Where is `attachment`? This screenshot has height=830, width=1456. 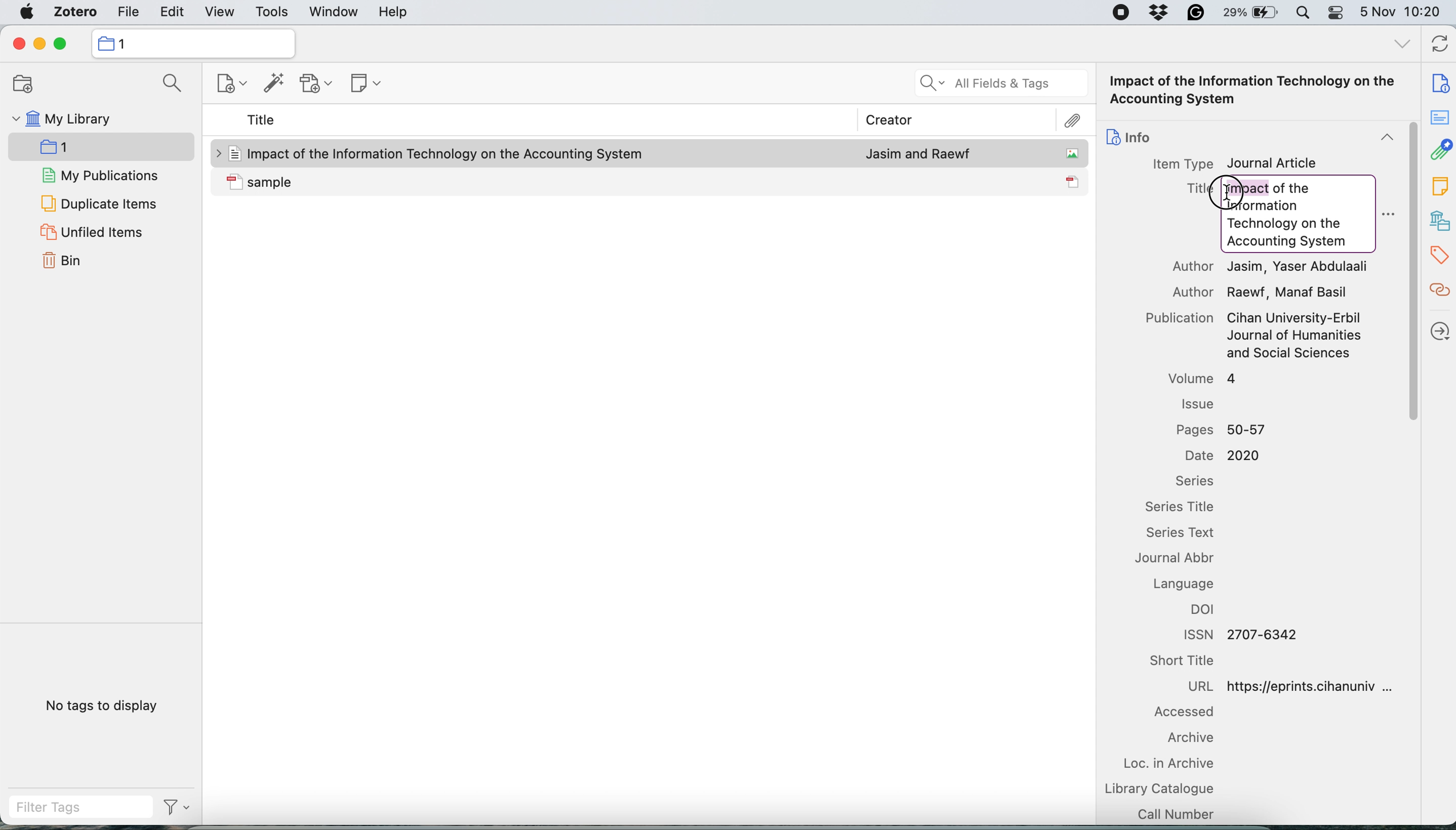 attachment is located at coordinates (1072, 121).